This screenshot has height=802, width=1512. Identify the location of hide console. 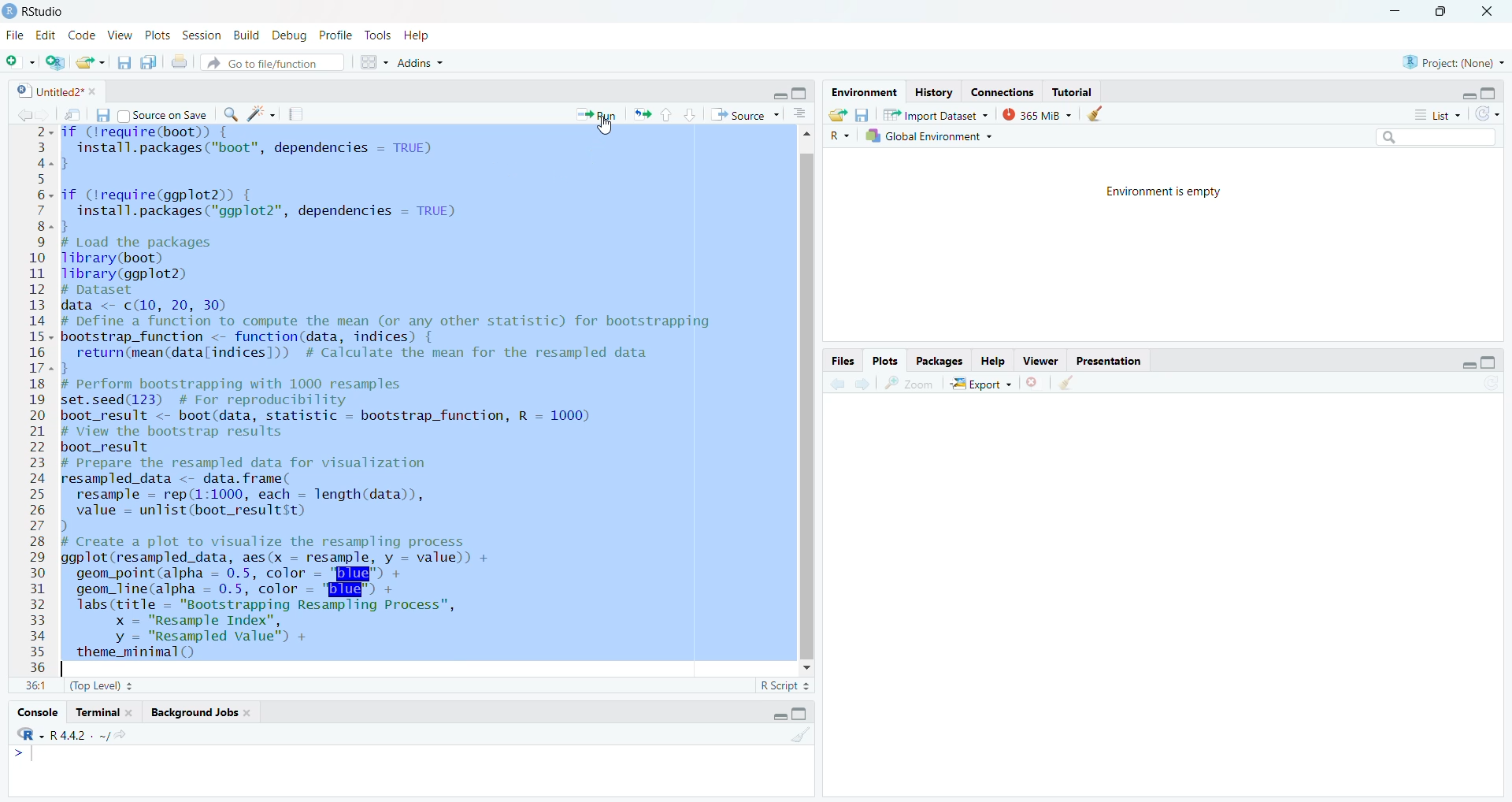
(805, 715).